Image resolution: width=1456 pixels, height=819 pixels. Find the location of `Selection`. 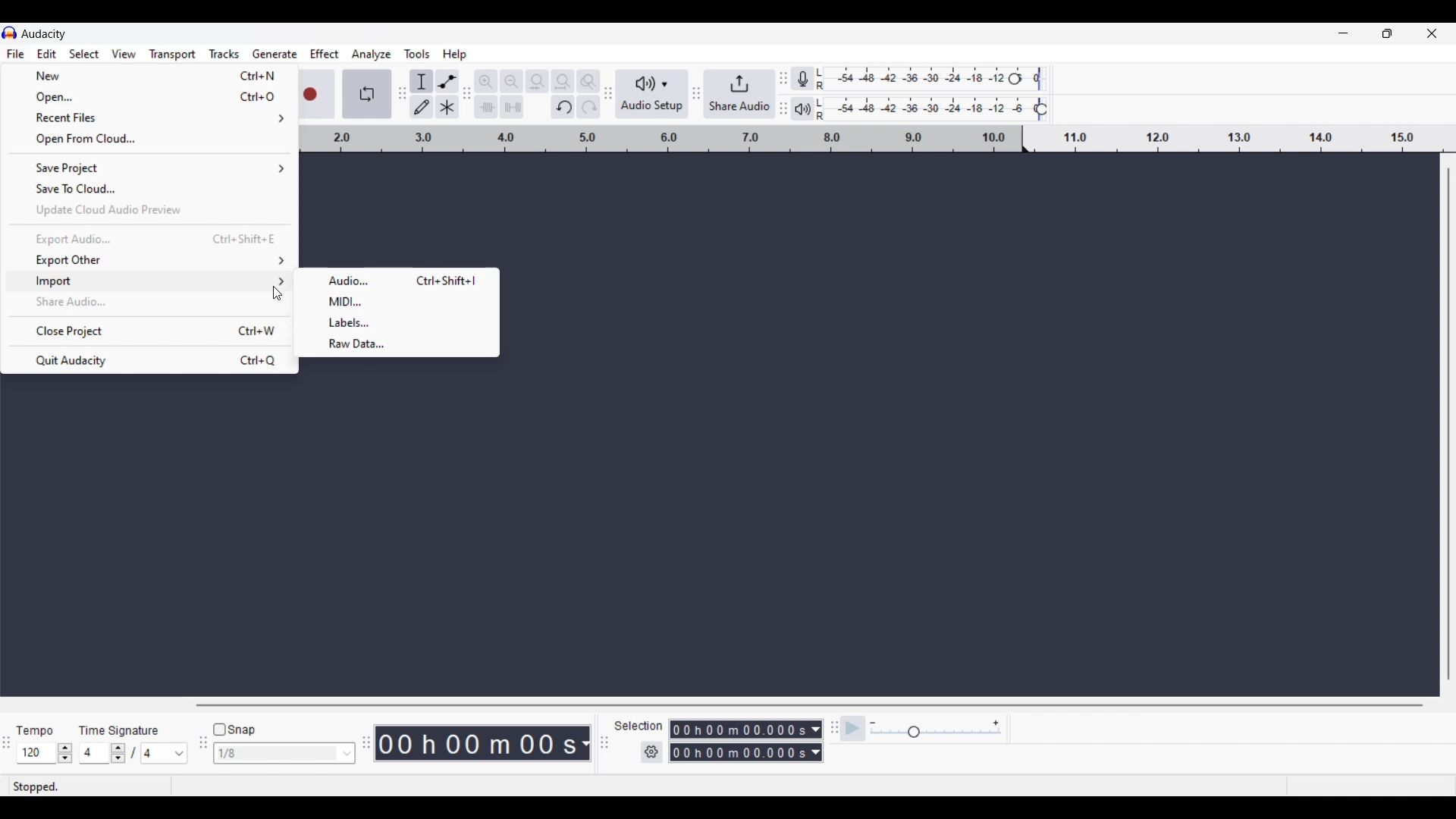

Selection is located at coordinates (639, 726).